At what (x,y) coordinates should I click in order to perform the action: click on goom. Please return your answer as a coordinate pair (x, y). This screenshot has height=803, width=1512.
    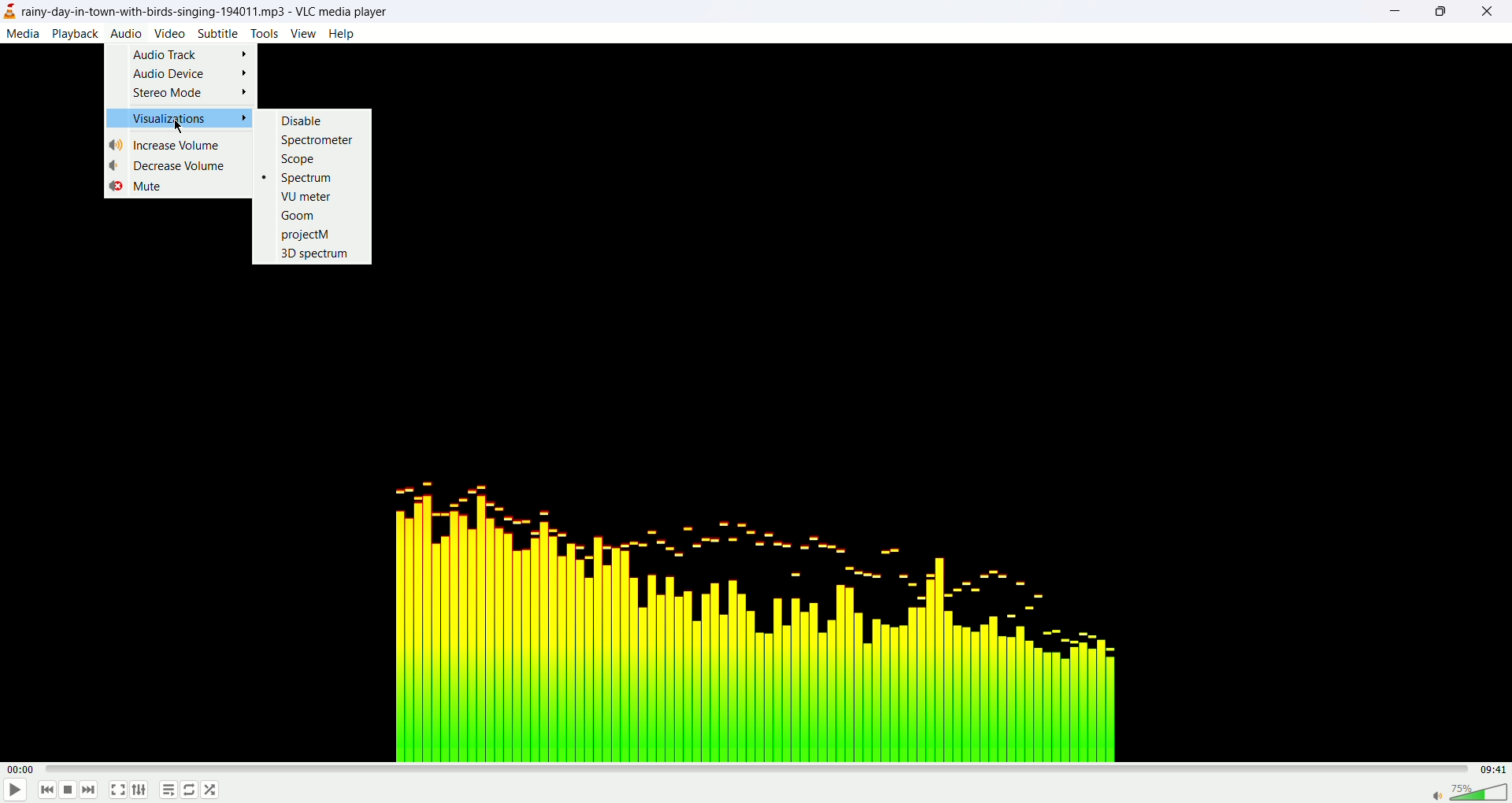
    Looking at the image, I should click on (298, 215).